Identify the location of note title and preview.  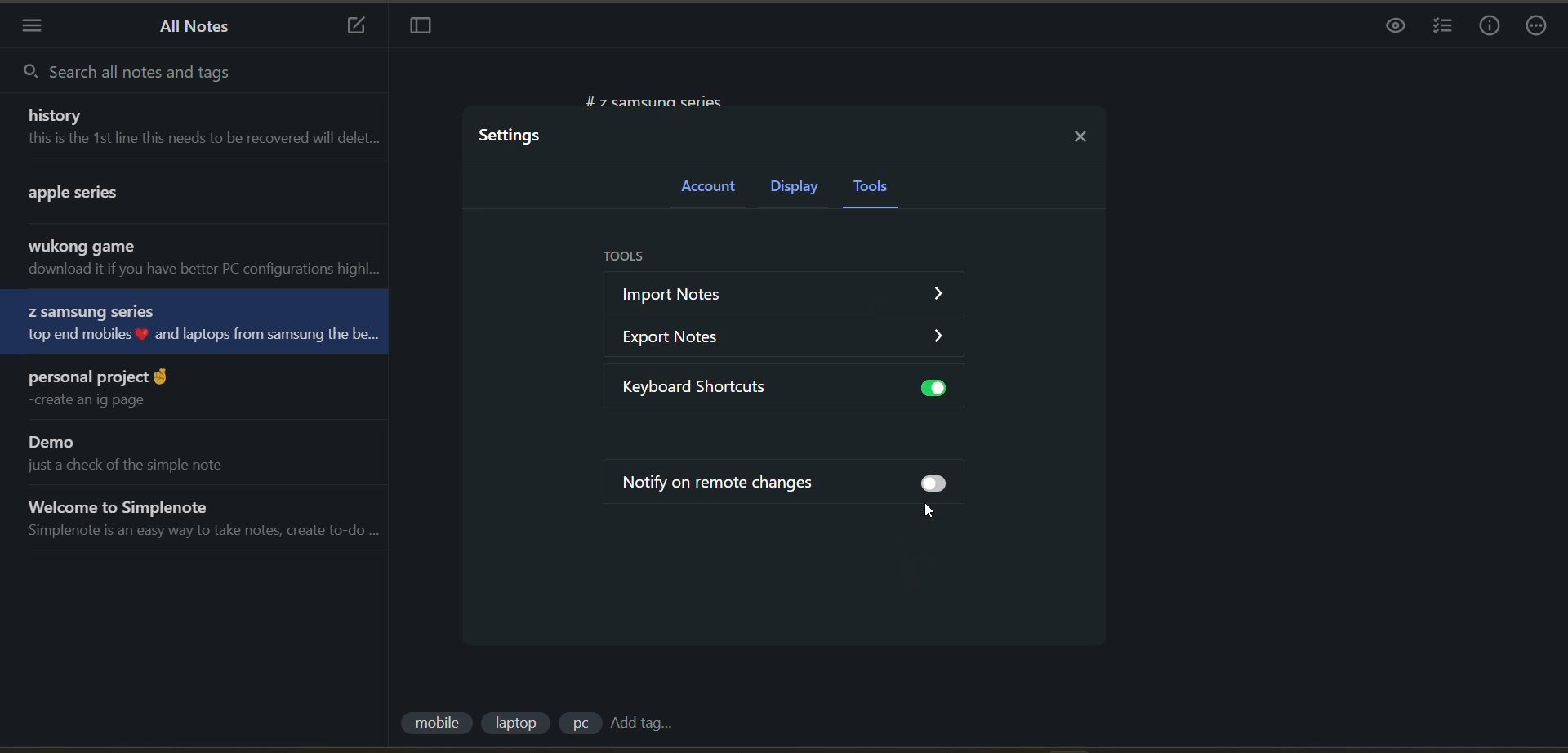
(161, 198).